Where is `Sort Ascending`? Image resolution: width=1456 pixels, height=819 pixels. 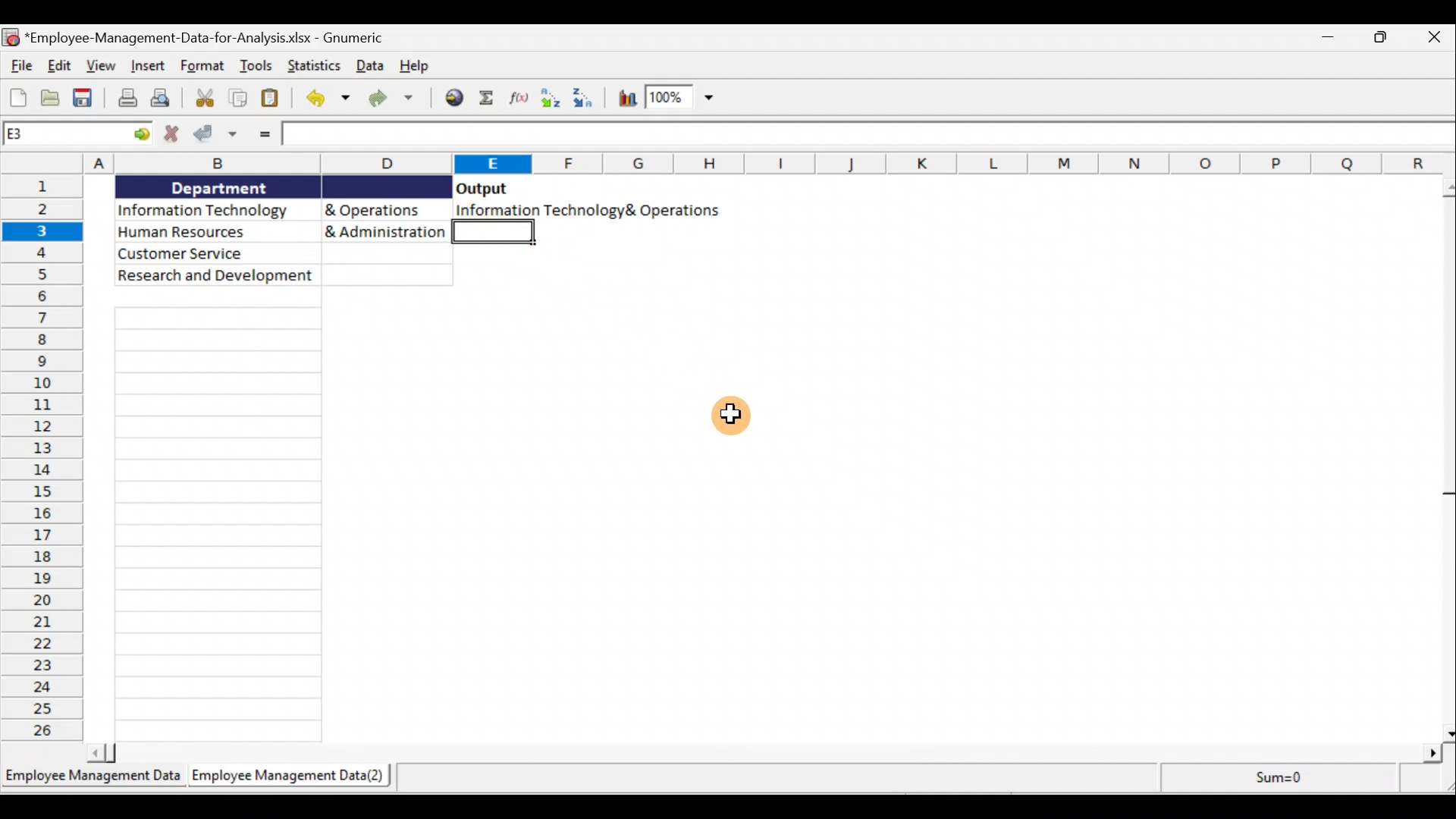
Sort Ascending is located at coordinates (549, 99).